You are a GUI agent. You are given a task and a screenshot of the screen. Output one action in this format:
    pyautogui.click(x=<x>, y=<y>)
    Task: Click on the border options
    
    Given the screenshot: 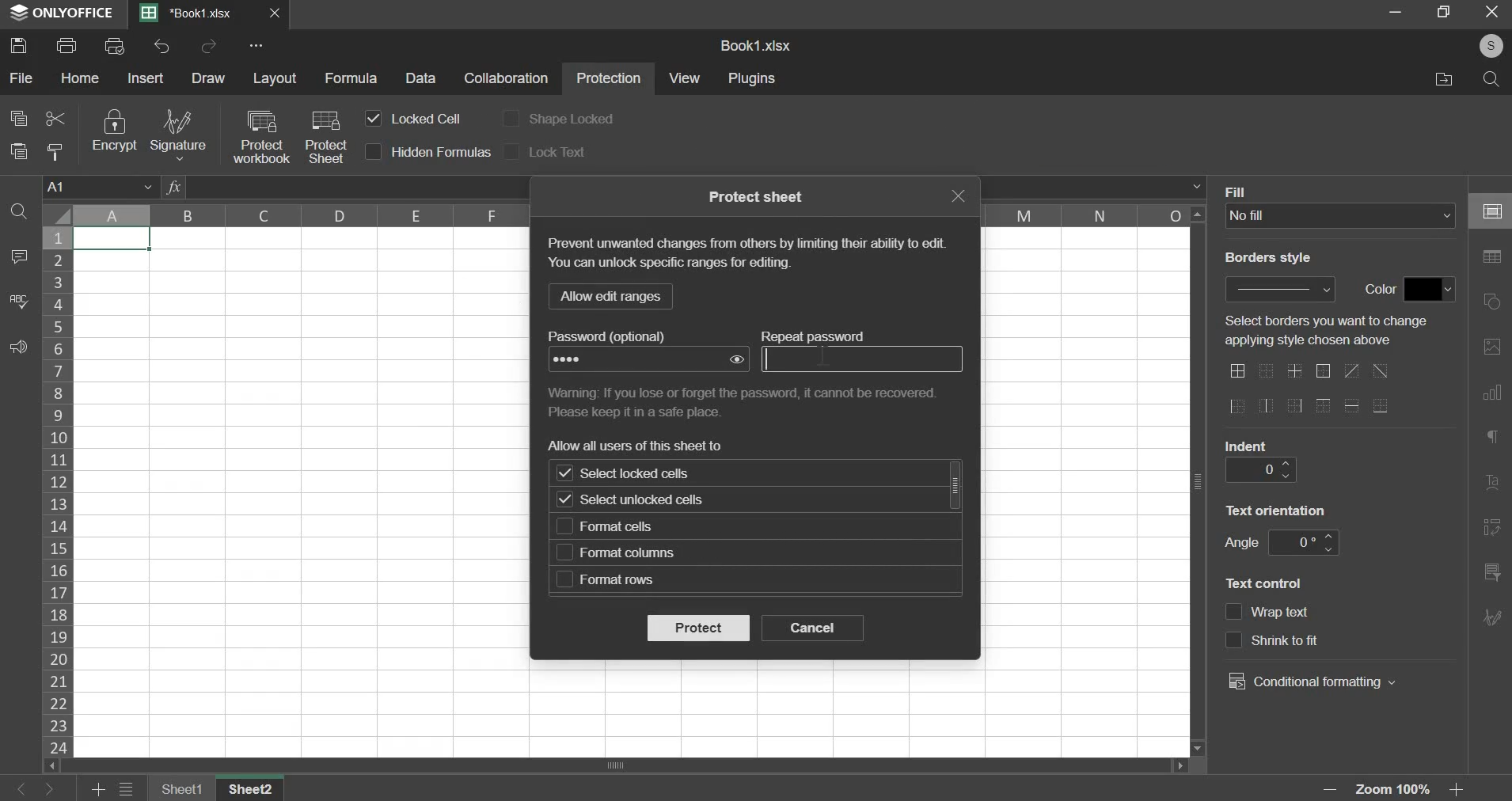 What is the action you would take?
    pyautogui.click(x=1266, y=406)
    